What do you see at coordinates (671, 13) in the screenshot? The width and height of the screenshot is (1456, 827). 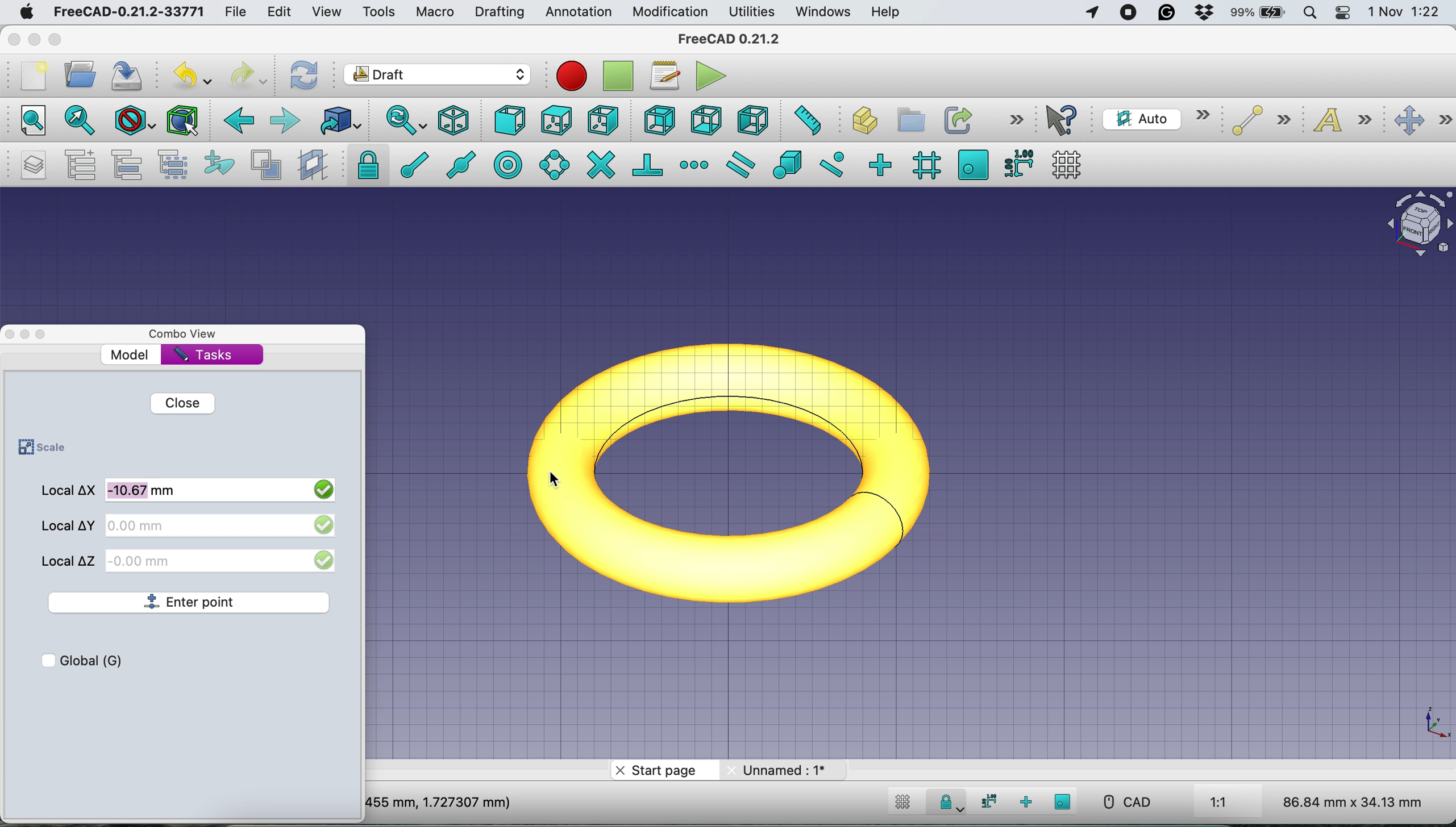 I see `modification` at bounding box center [671, 13].